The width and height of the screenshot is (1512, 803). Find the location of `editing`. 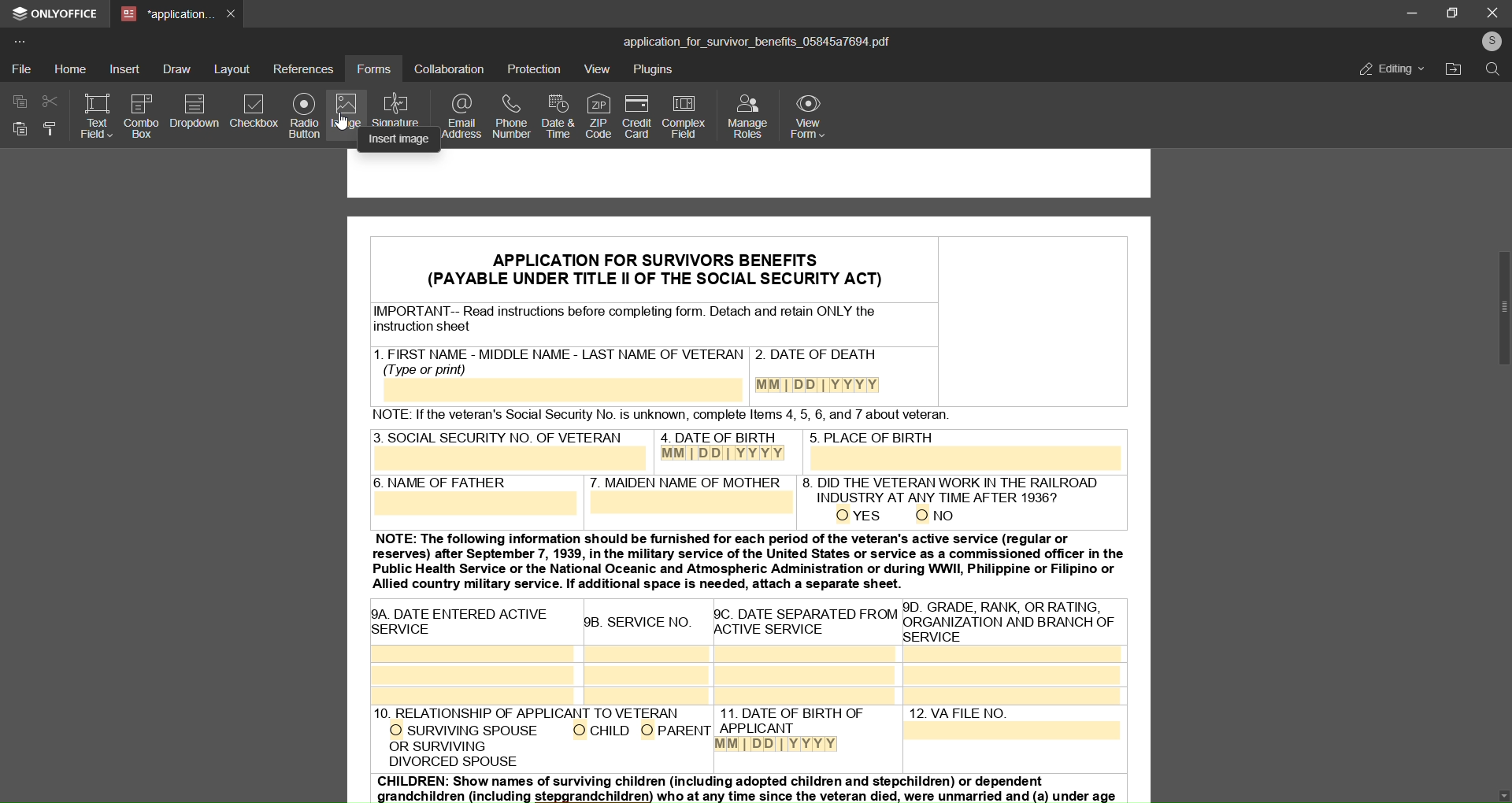

editing is located at coordinates (1382, 68).